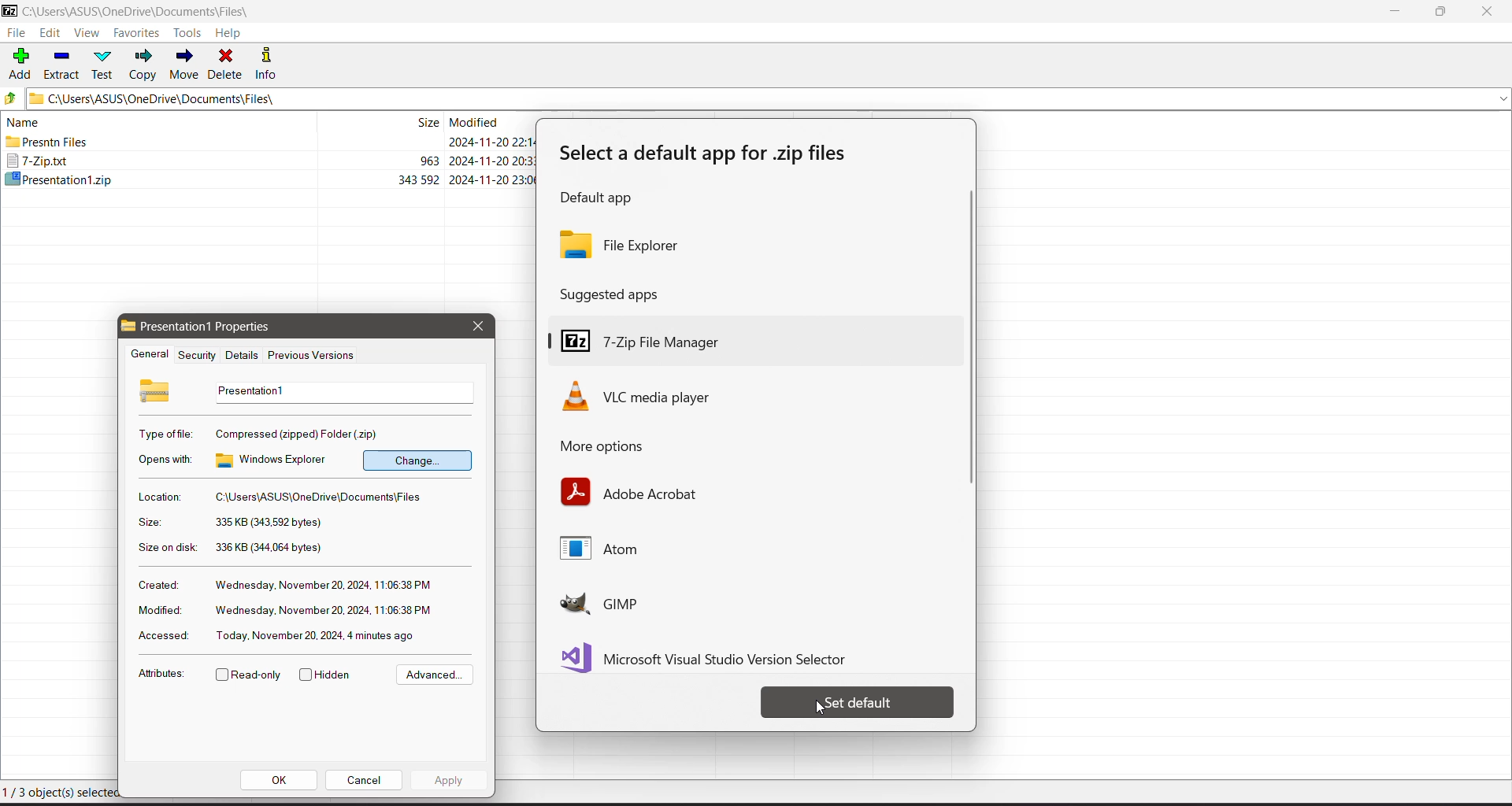 Image resolution: width=1512 pixels, height=806 pixels. What do you see at coordinates (615, 294) in the screenshot?
I see `Suggested apps` at bounding box center [615, 294].